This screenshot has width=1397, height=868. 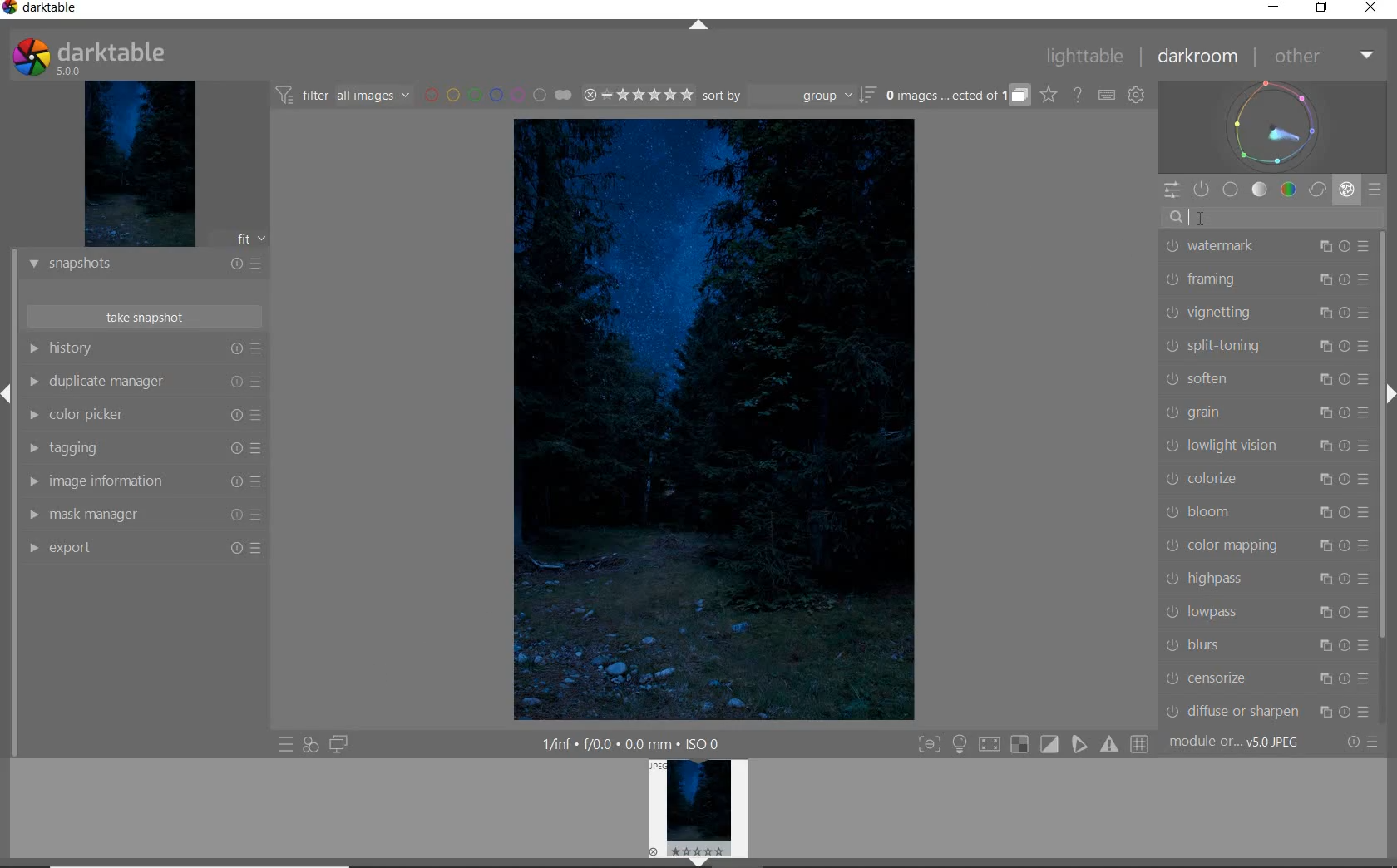 I want to click on CENSORIZE, so click(x=1266, y=678).